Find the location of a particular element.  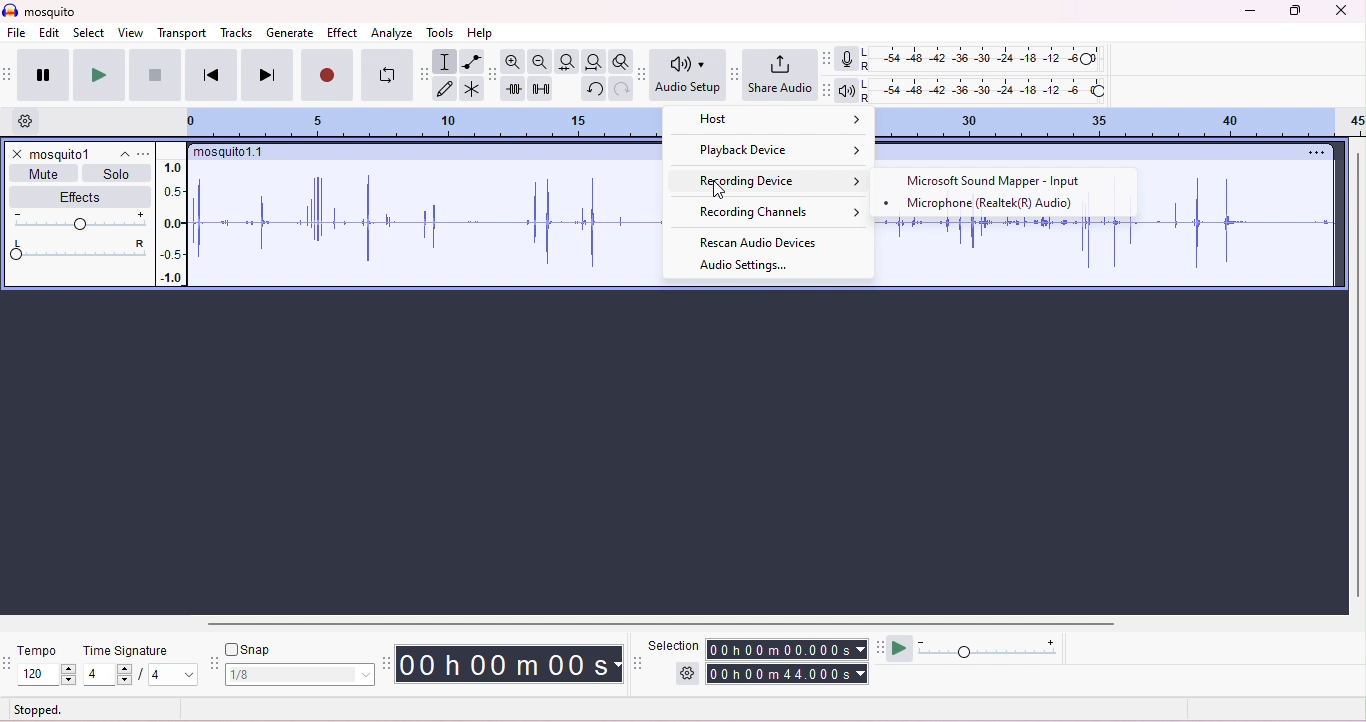

pan is located at coordinates (77, 250).